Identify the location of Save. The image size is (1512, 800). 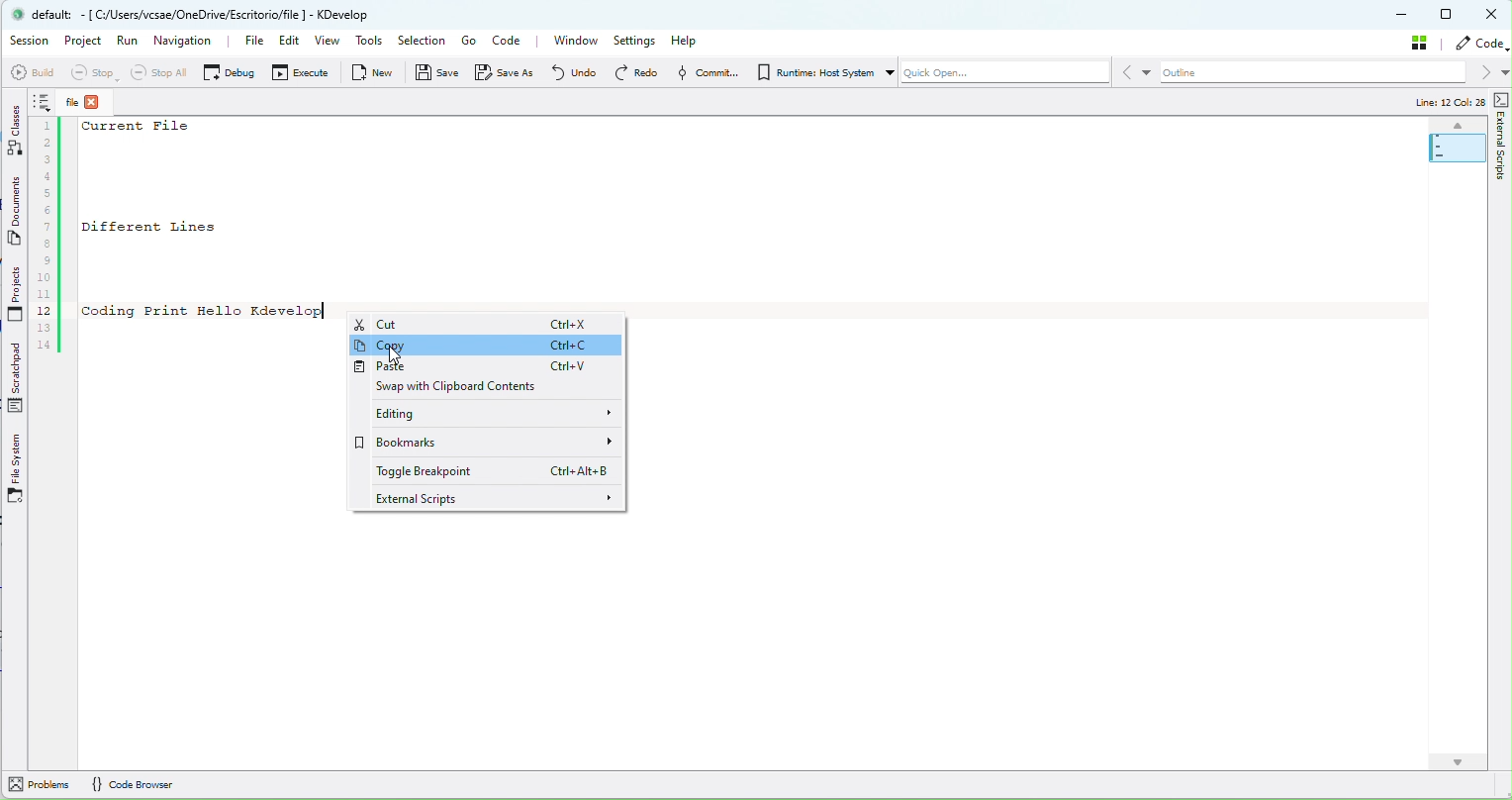
(438, 76).